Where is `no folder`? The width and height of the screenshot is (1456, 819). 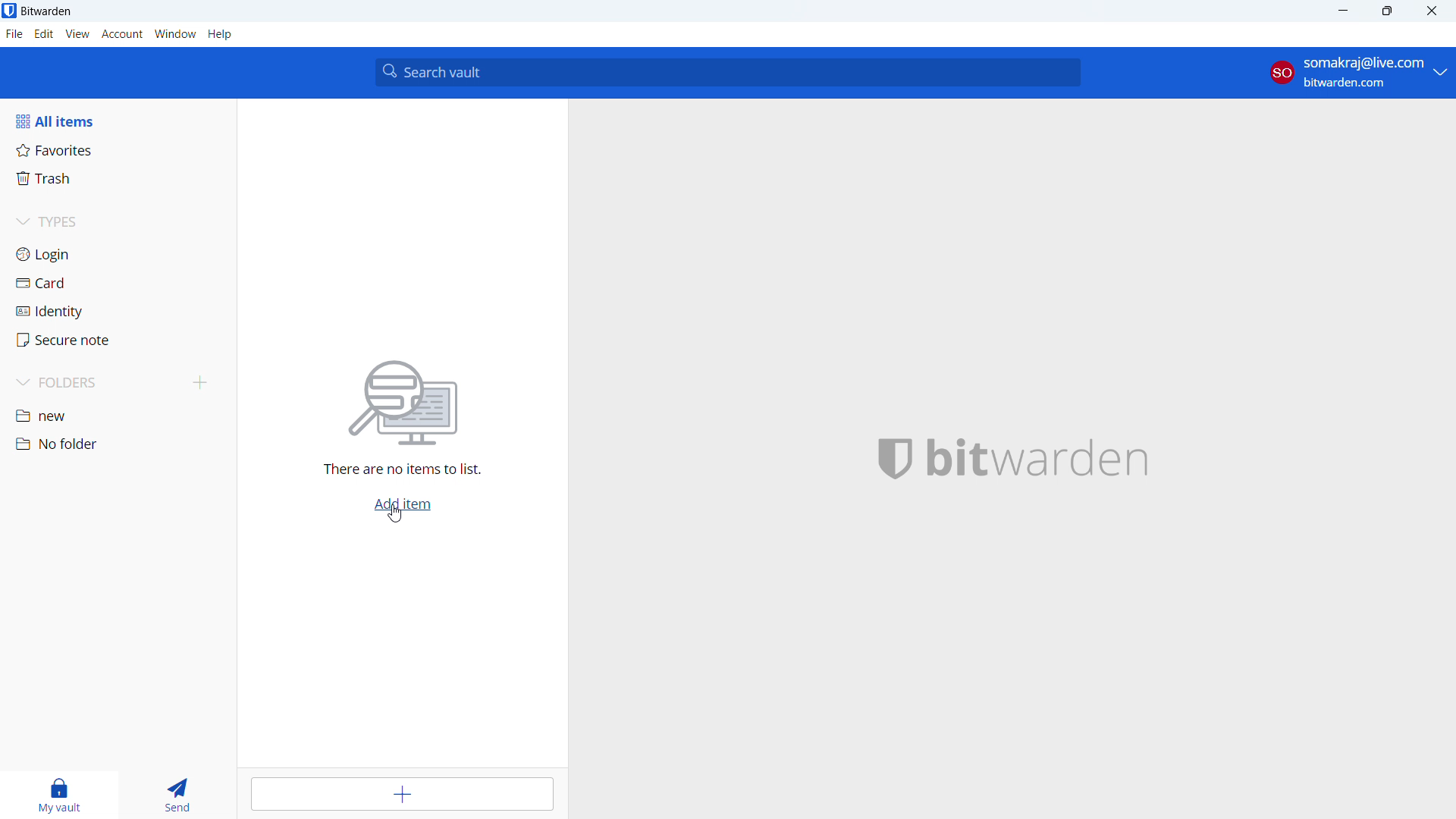
no folder is located at coordinates (116, 444).